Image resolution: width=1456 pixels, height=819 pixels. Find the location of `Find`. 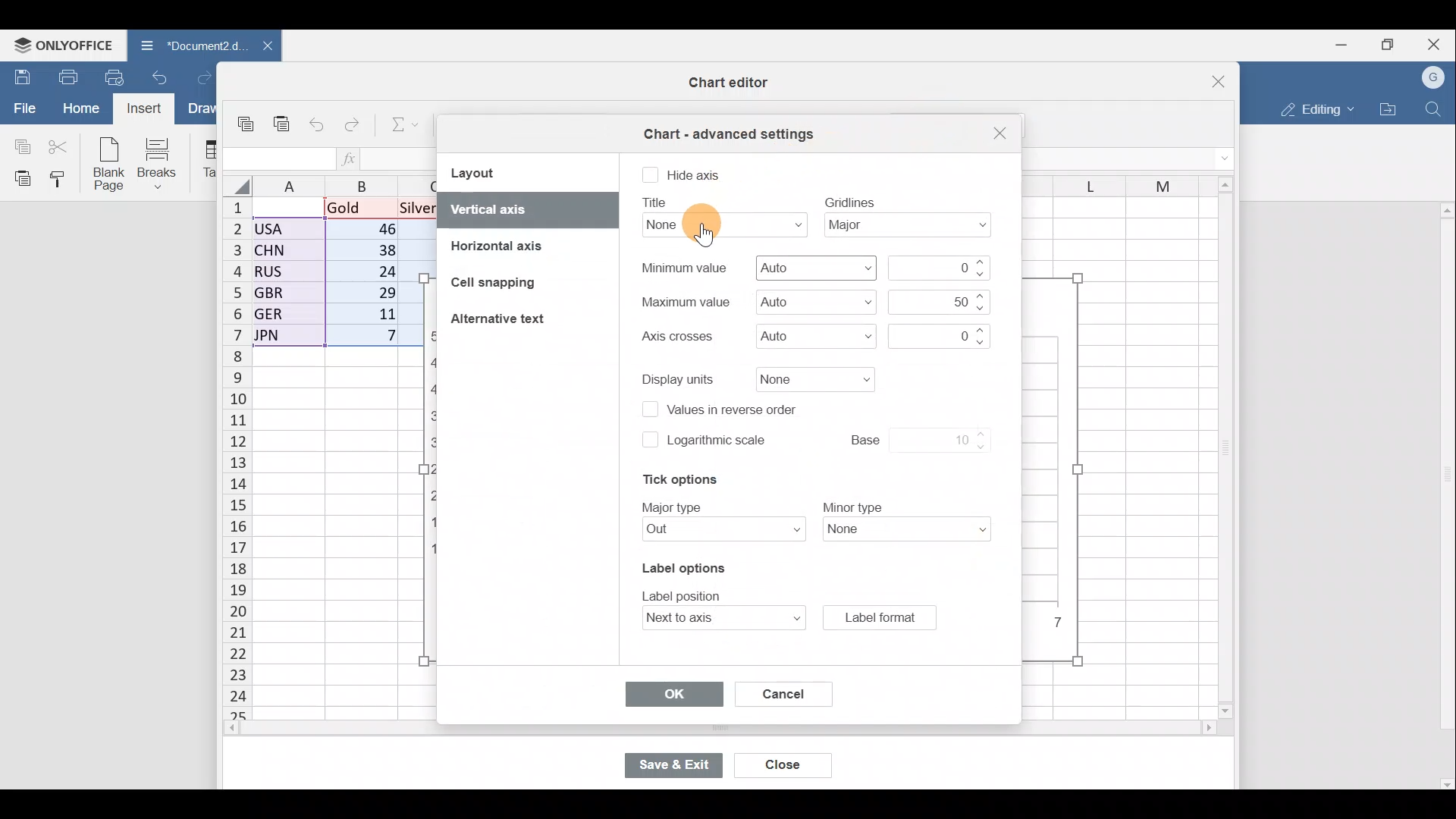

Find is located at coordinates (1434, 109).